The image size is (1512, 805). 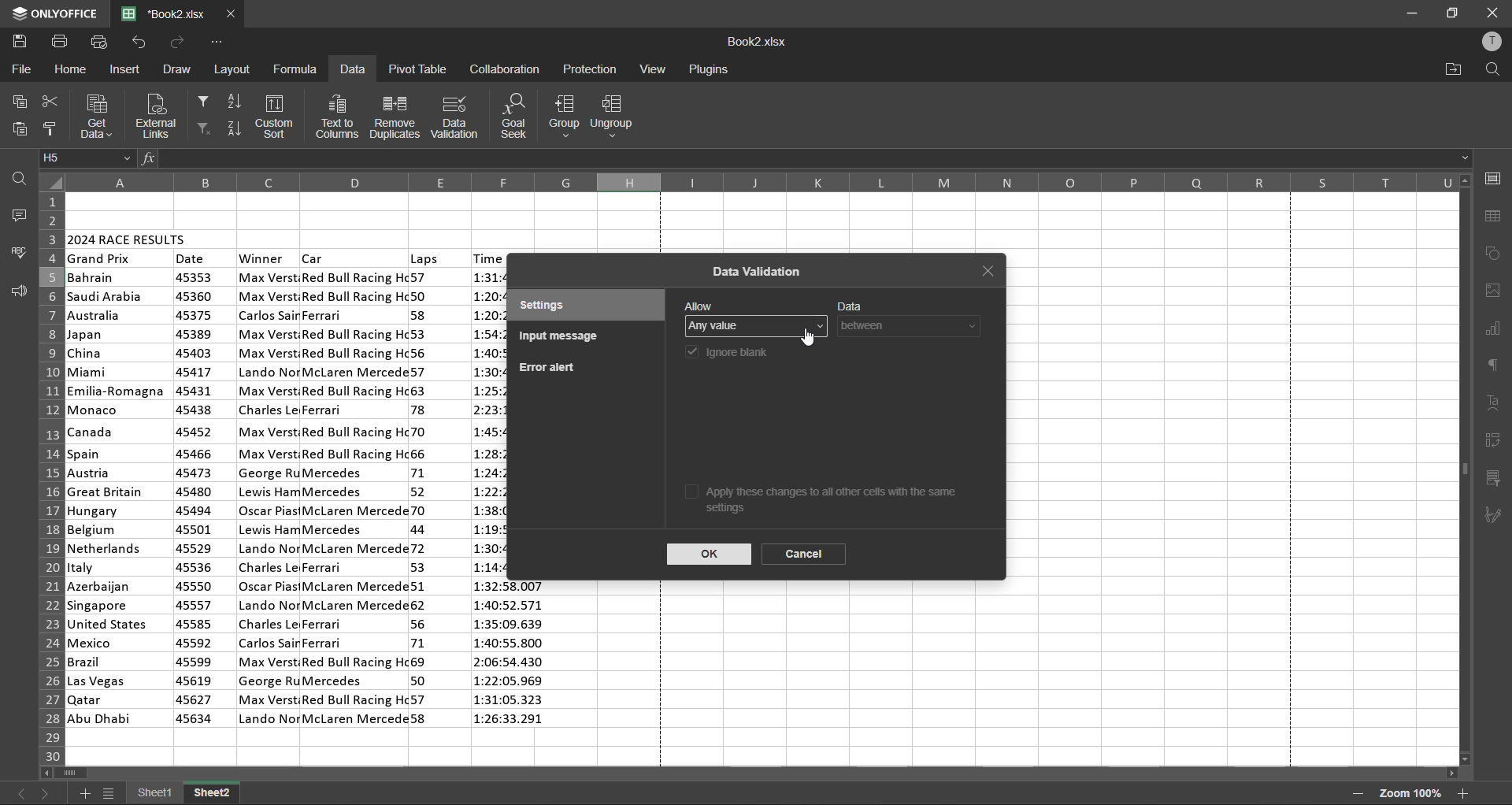 I want to click on laps, so click(x=424, y=258).